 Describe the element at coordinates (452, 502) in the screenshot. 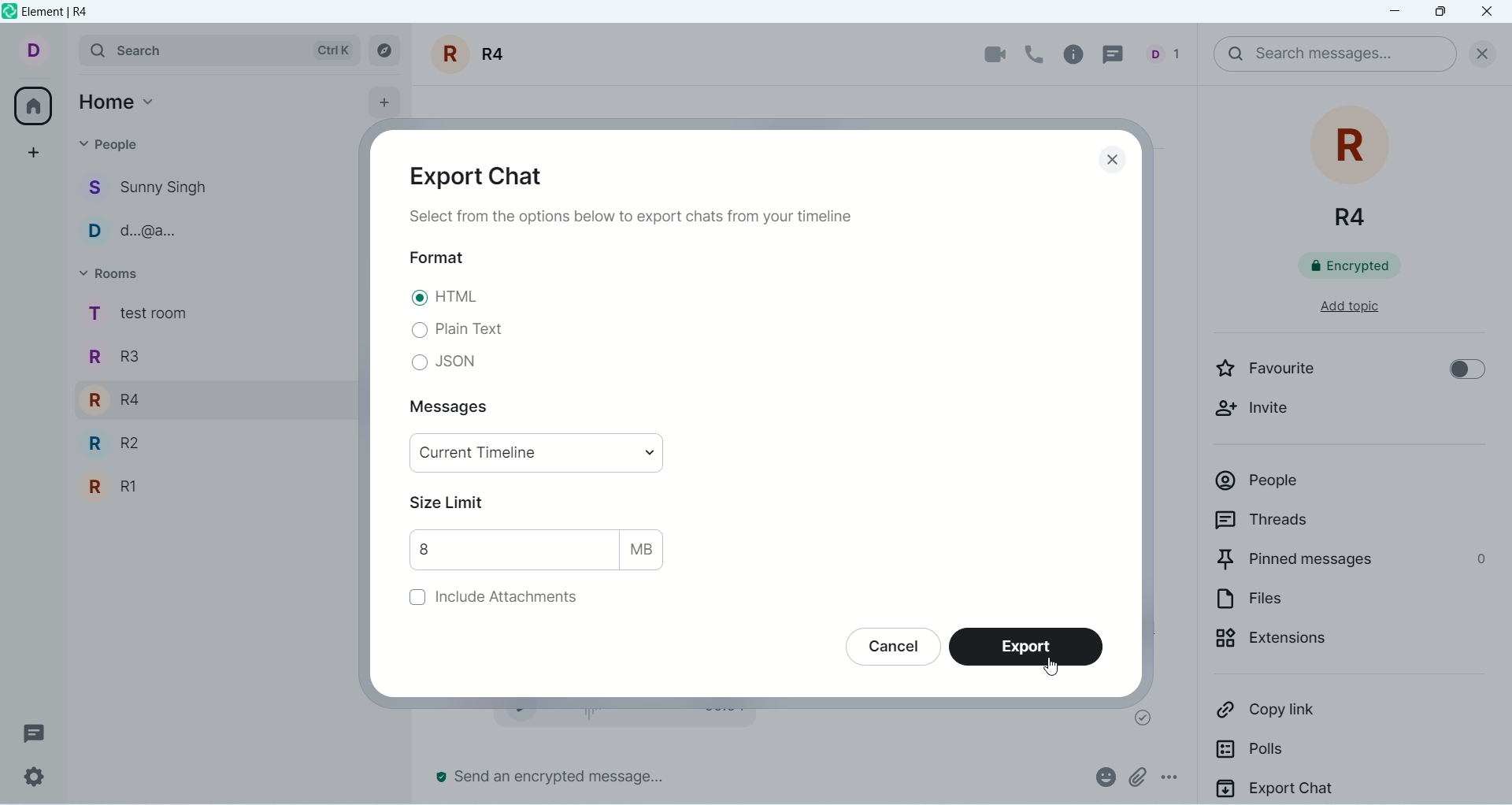

I see `size limit` at that location.